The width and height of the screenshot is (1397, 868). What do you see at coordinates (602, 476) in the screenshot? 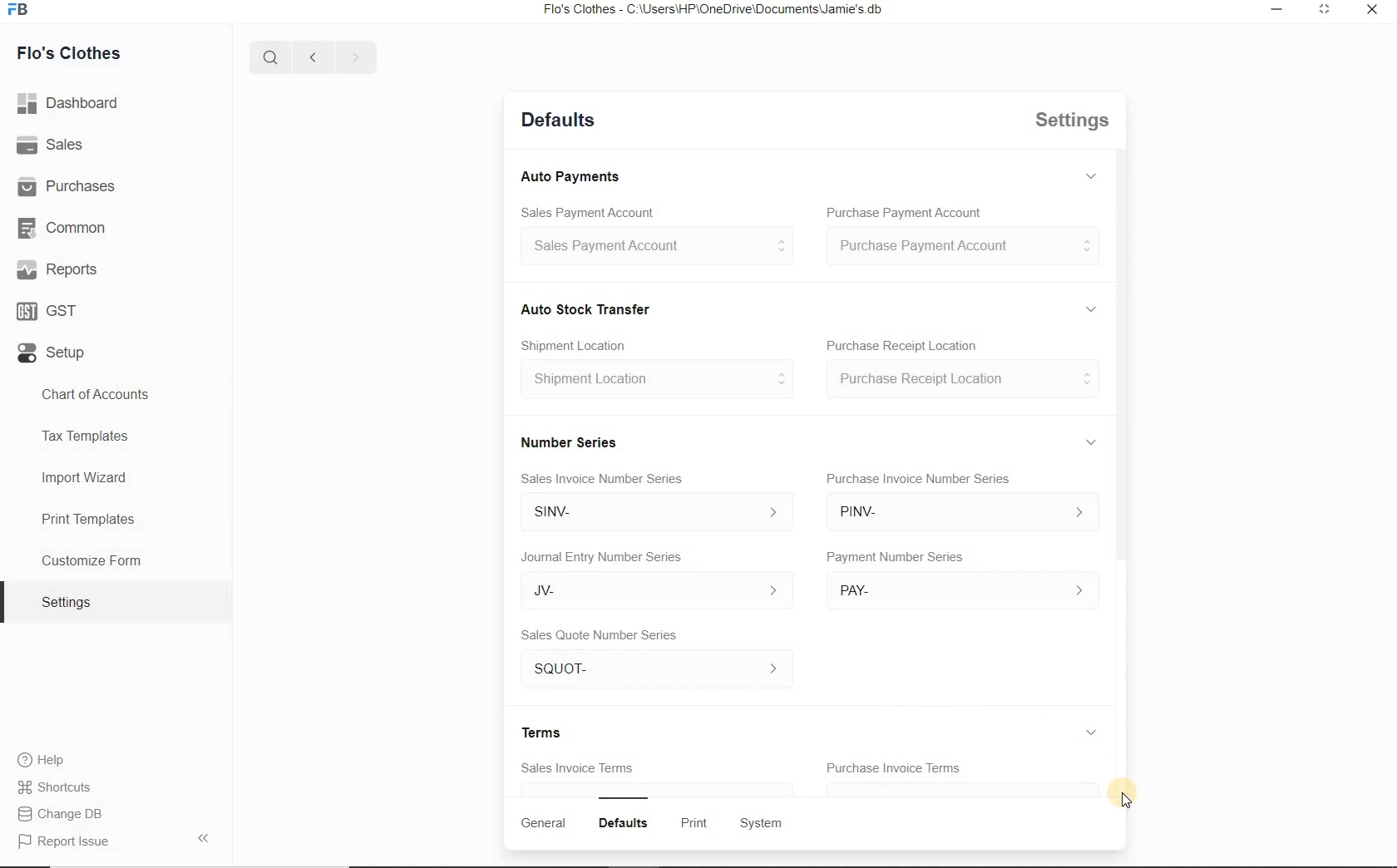
I see `Sales Invoice Number Series` at bounding box center [602, 476].